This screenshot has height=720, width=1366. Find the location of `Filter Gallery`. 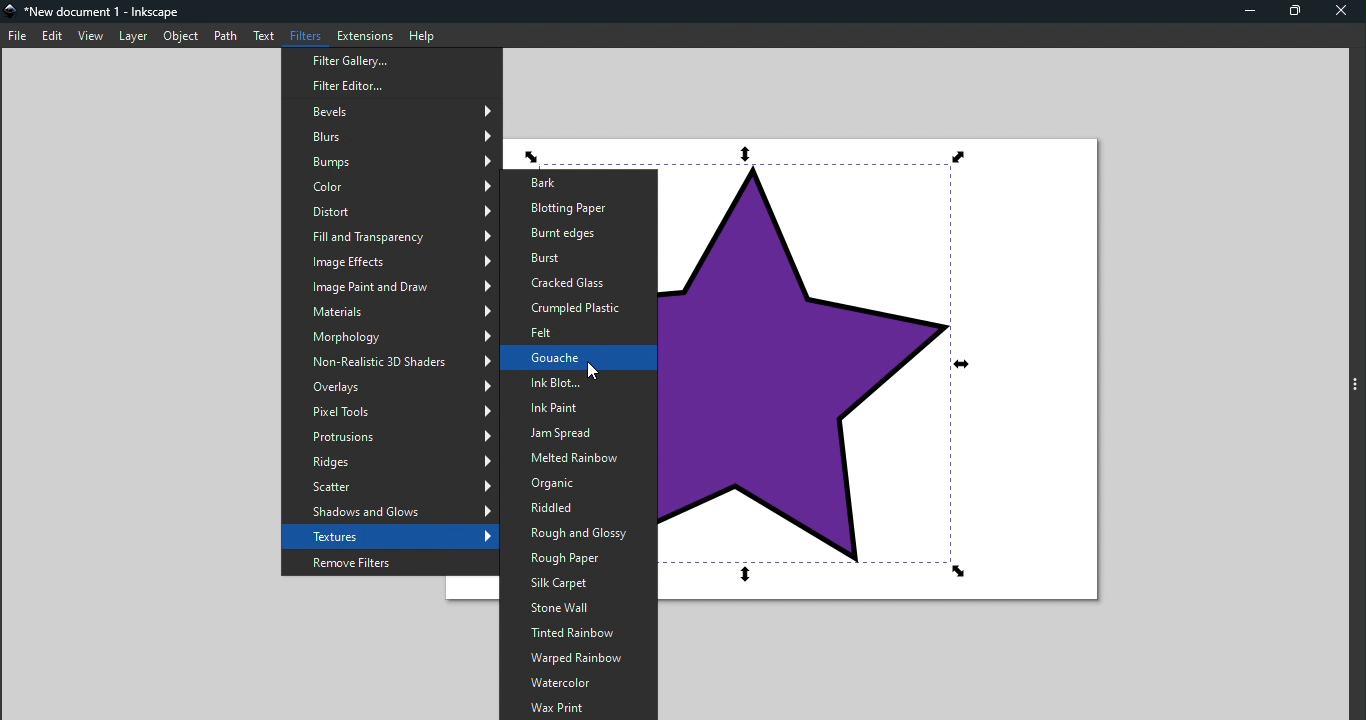

Filter Gallery is located at coordinates (387, 60).